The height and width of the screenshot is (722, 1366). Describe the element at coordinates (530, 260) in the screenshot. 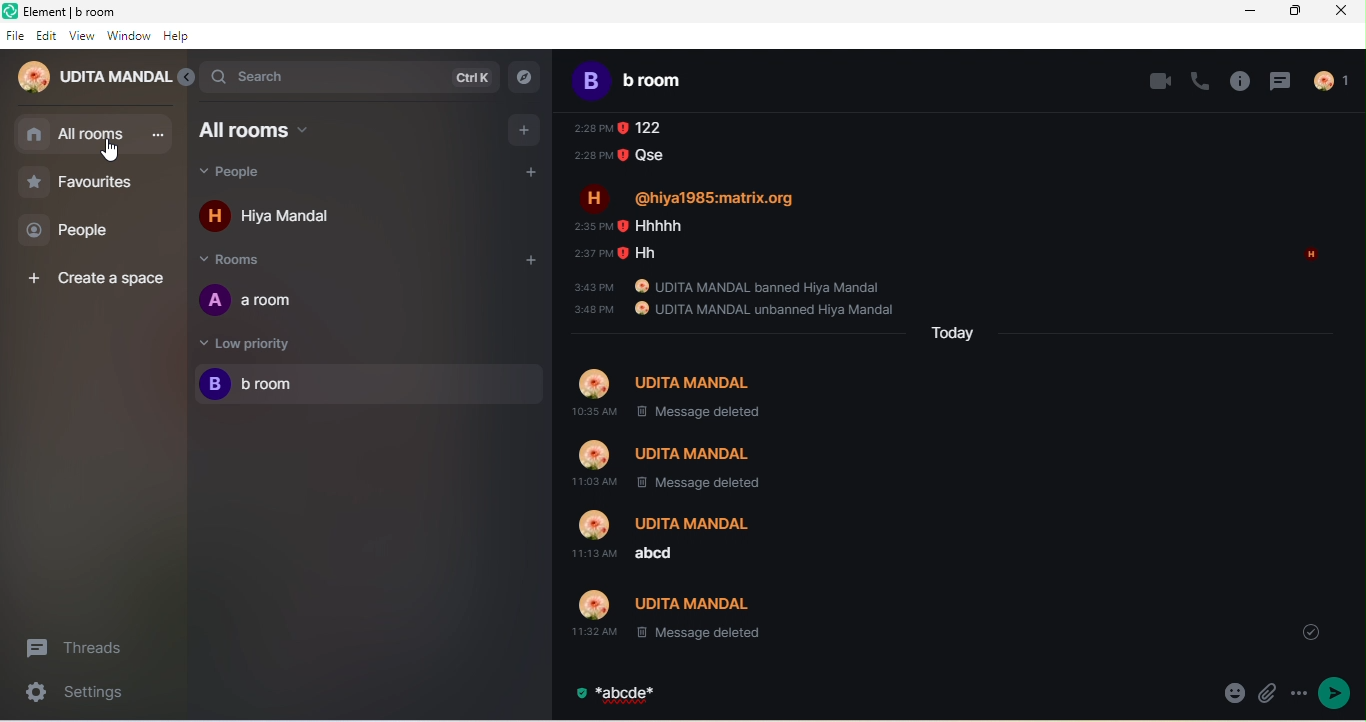

I see `add room` at that location.